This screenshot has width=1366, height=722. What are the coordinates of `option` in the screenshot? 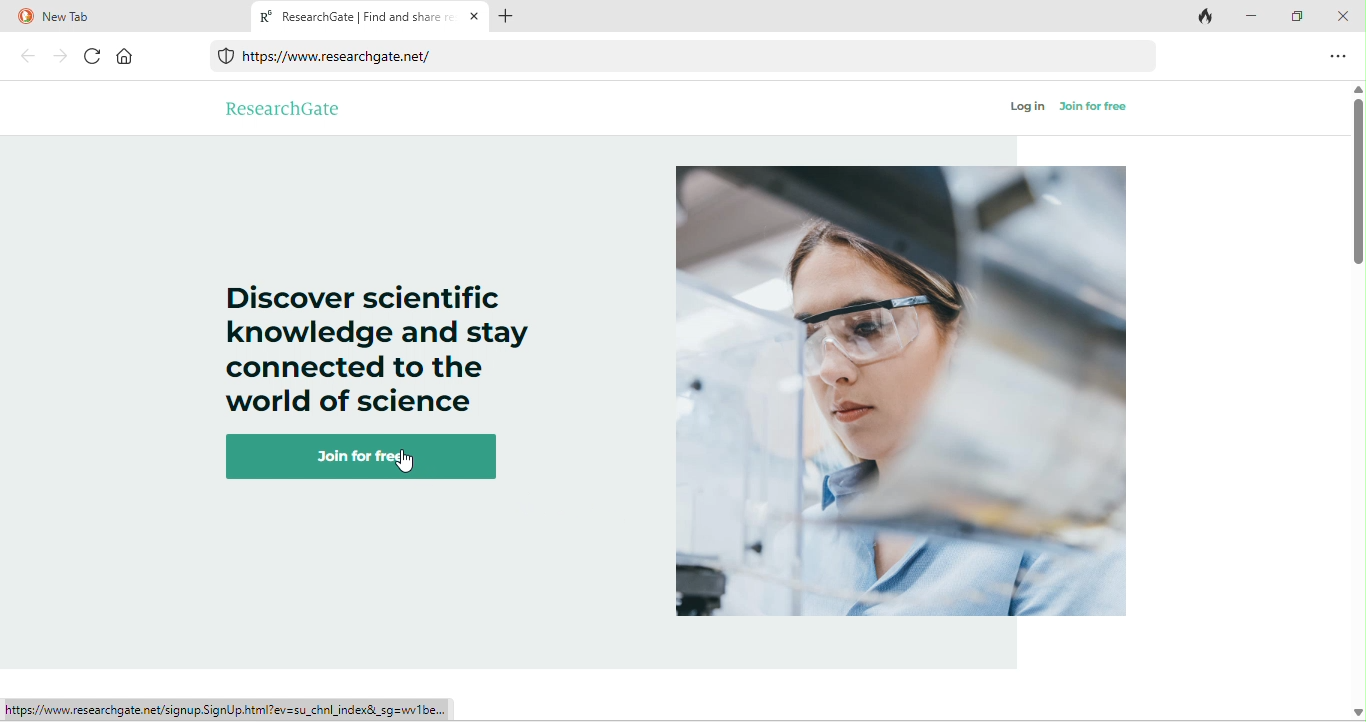 It's located at (1340, 55).